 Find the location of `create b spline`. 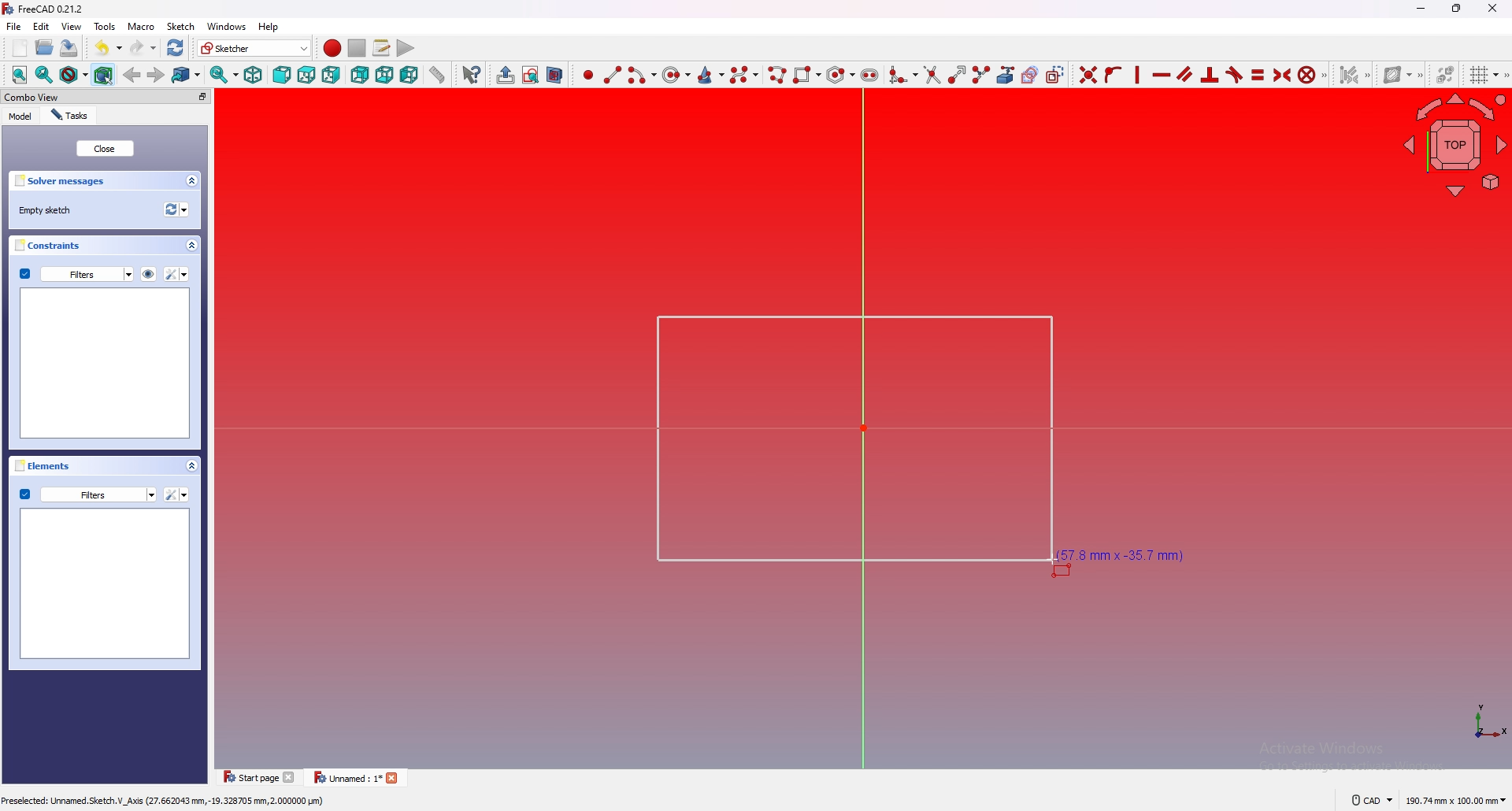

create b spline is located at coordinates (745, 75).